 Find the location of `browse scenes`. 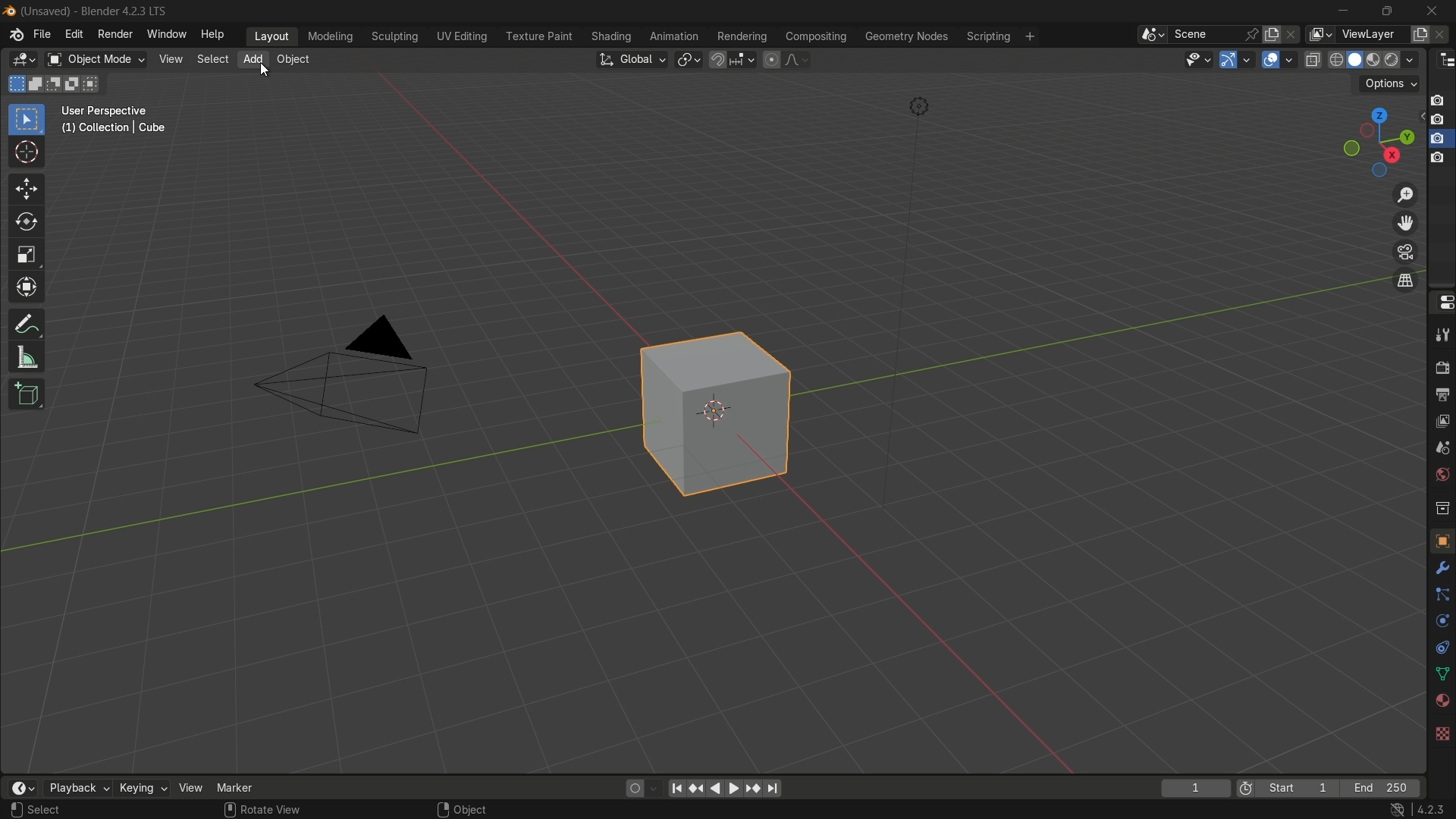

browse scenes is located at coordinates (1153, 35).